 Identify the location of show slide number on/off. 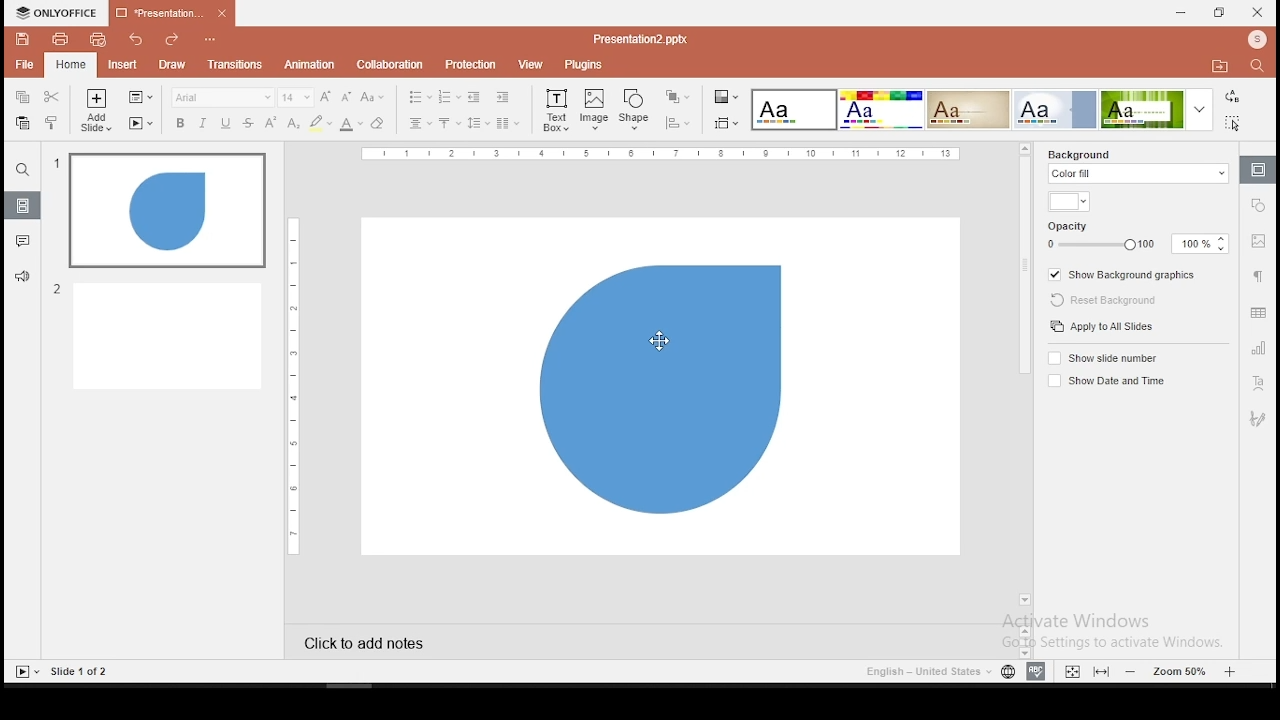
(1116, 355).